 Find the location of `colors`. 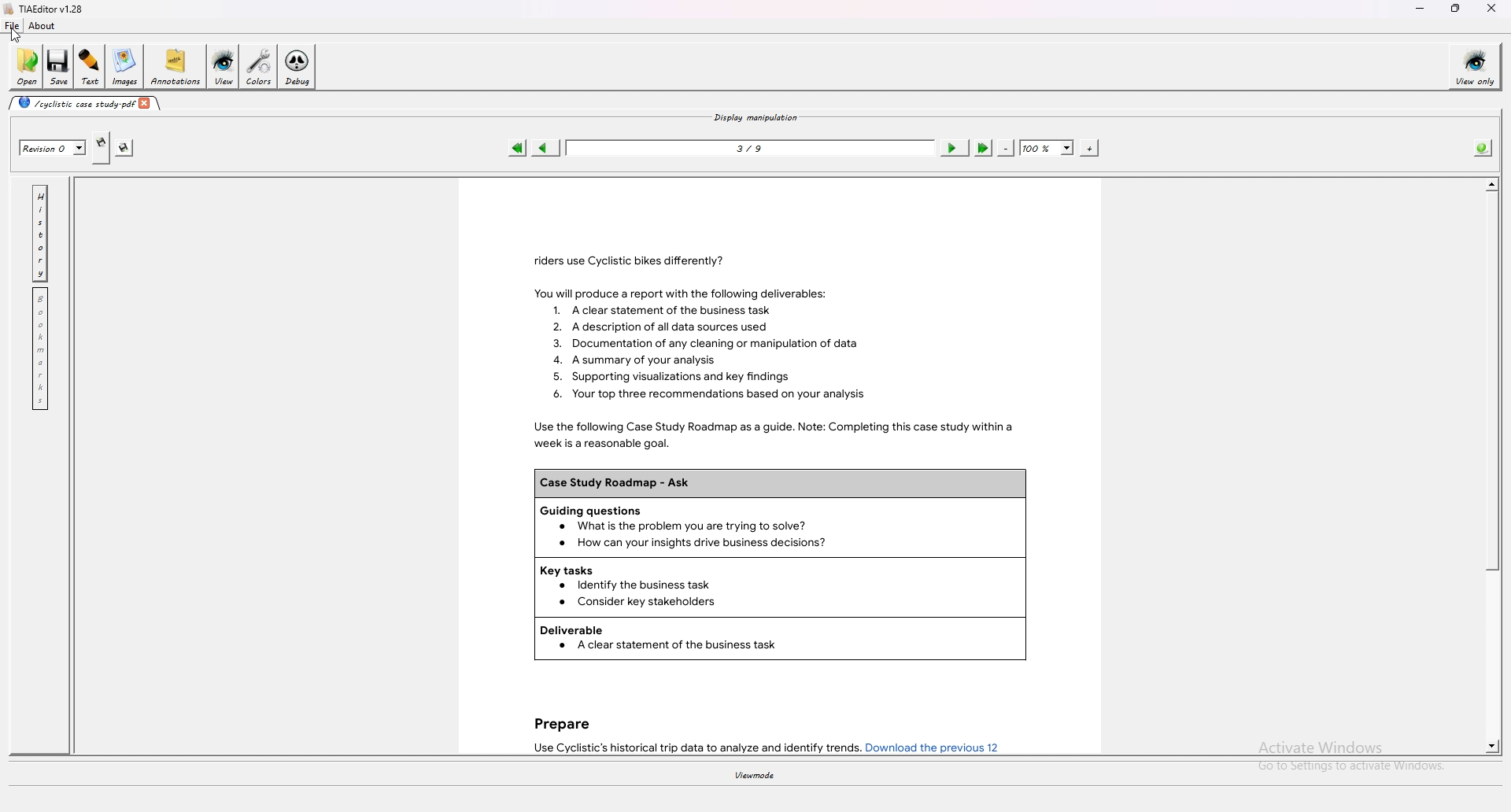

colors is located at coordinates (257, 67).